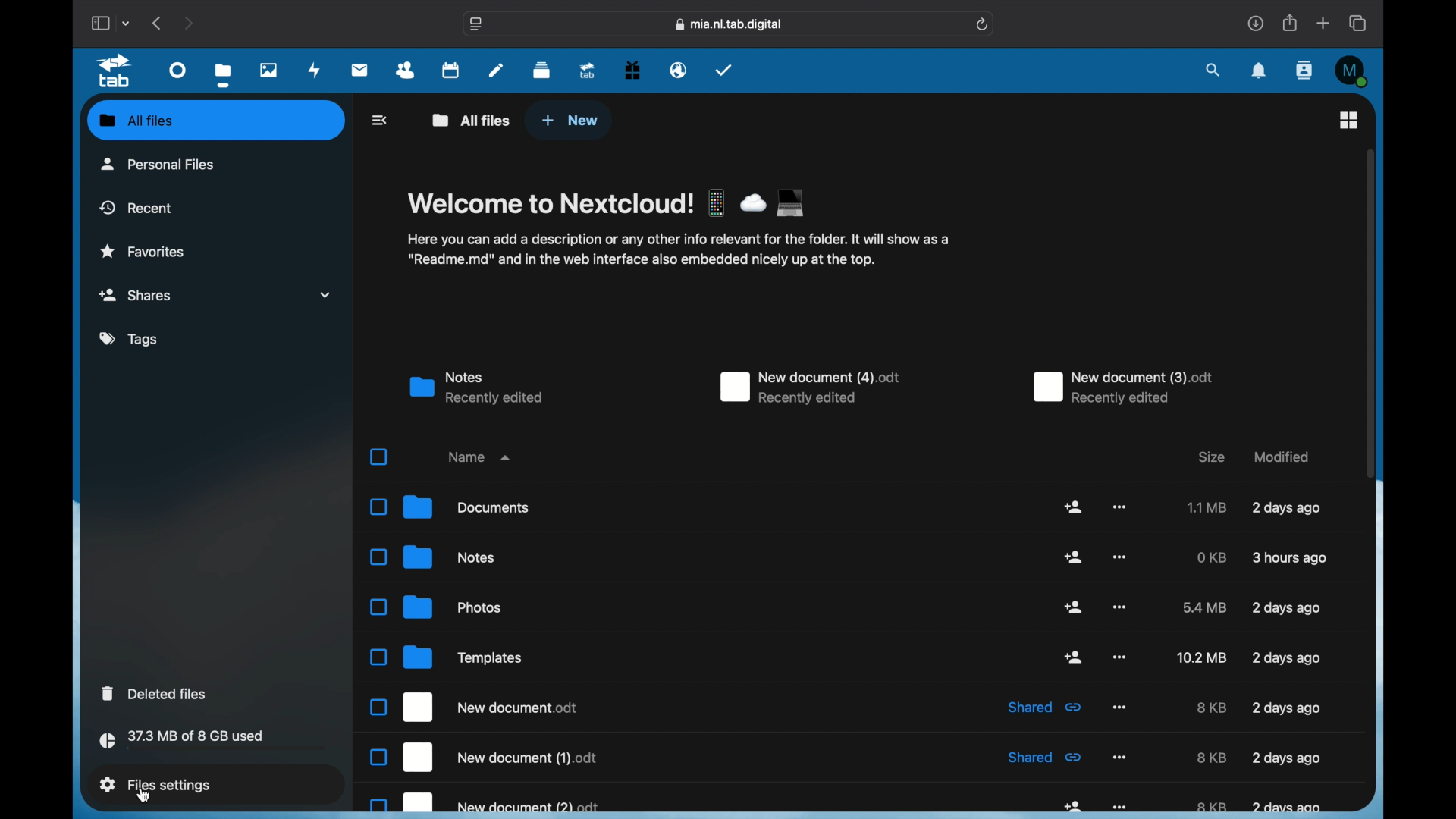 This screenshot has width=1456, height=819. Describe the element at coordinates (1073, 557) in the screenshot. I see `share` at that location.